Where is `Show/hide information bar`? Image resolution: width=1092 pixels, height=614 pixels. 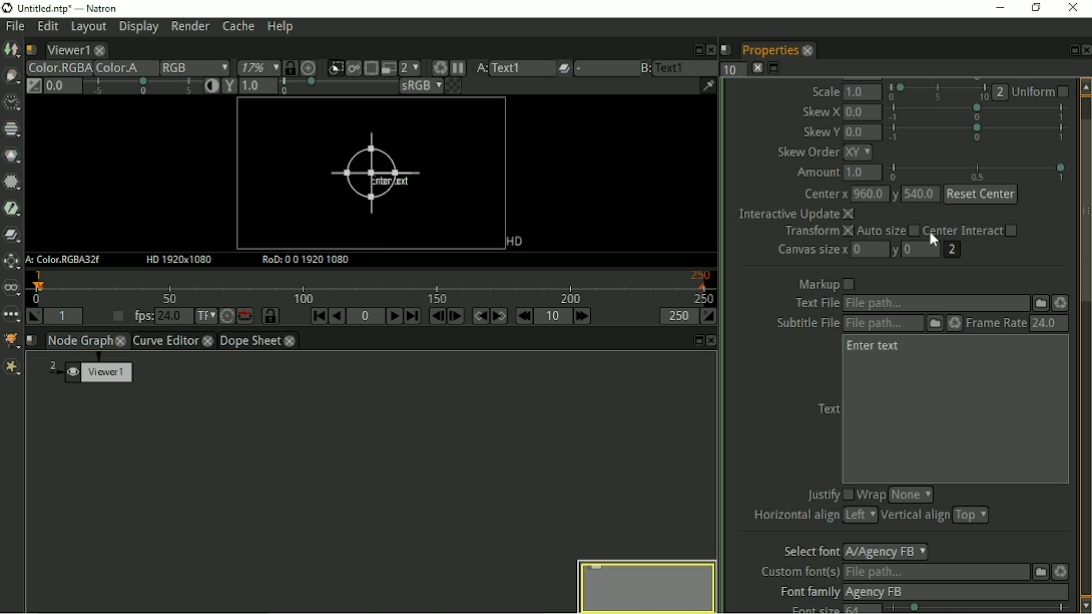 Show/hide information bar is located at coordinates (708, 85).